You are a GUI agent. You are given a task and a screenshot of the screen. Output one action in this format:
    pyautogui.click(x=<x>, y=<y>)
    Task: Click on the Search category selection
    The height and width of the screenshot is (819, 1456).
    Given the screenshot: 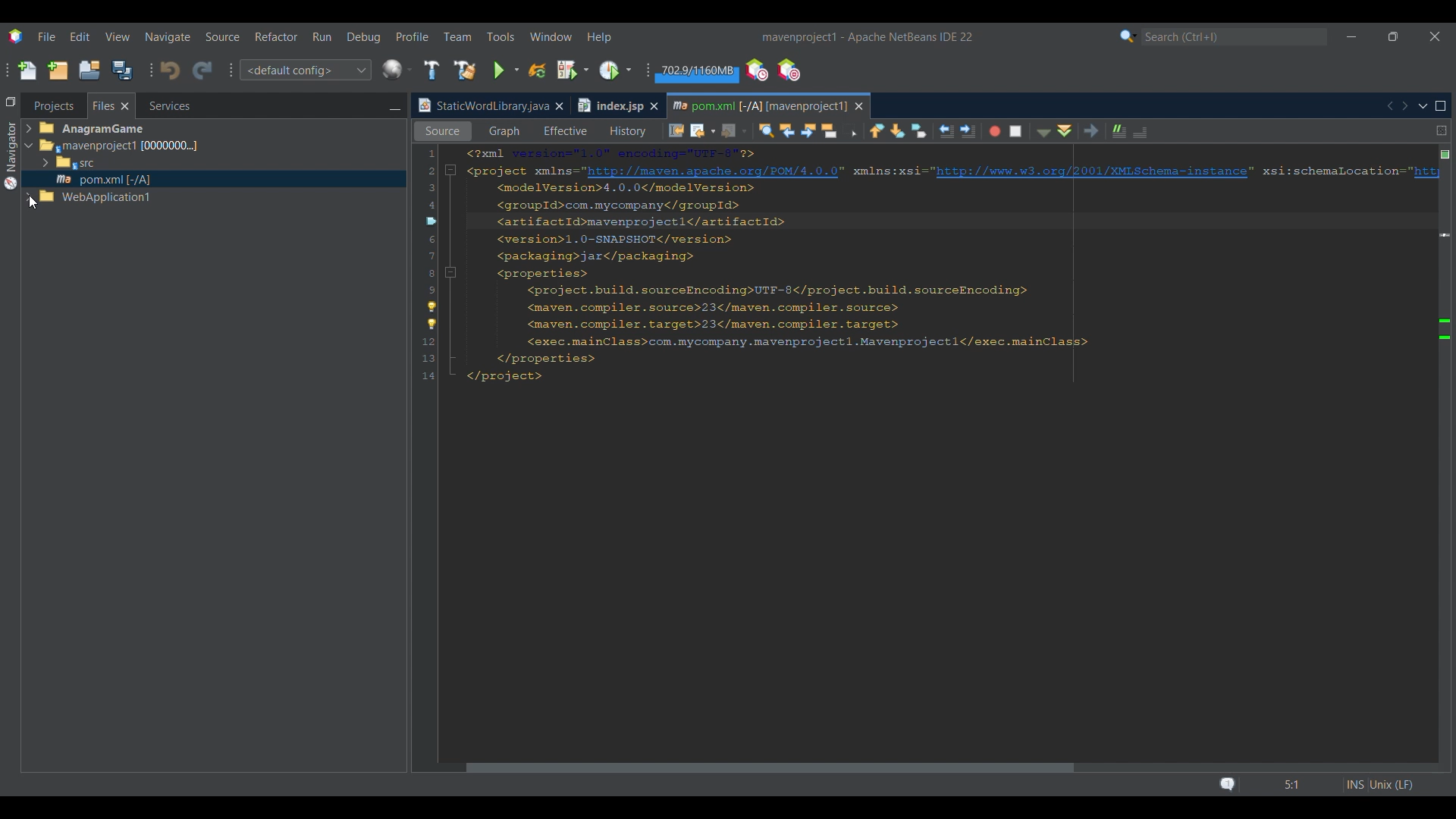 What is the action you would take?
    pyautogui.click(x=1128, y=36)
    